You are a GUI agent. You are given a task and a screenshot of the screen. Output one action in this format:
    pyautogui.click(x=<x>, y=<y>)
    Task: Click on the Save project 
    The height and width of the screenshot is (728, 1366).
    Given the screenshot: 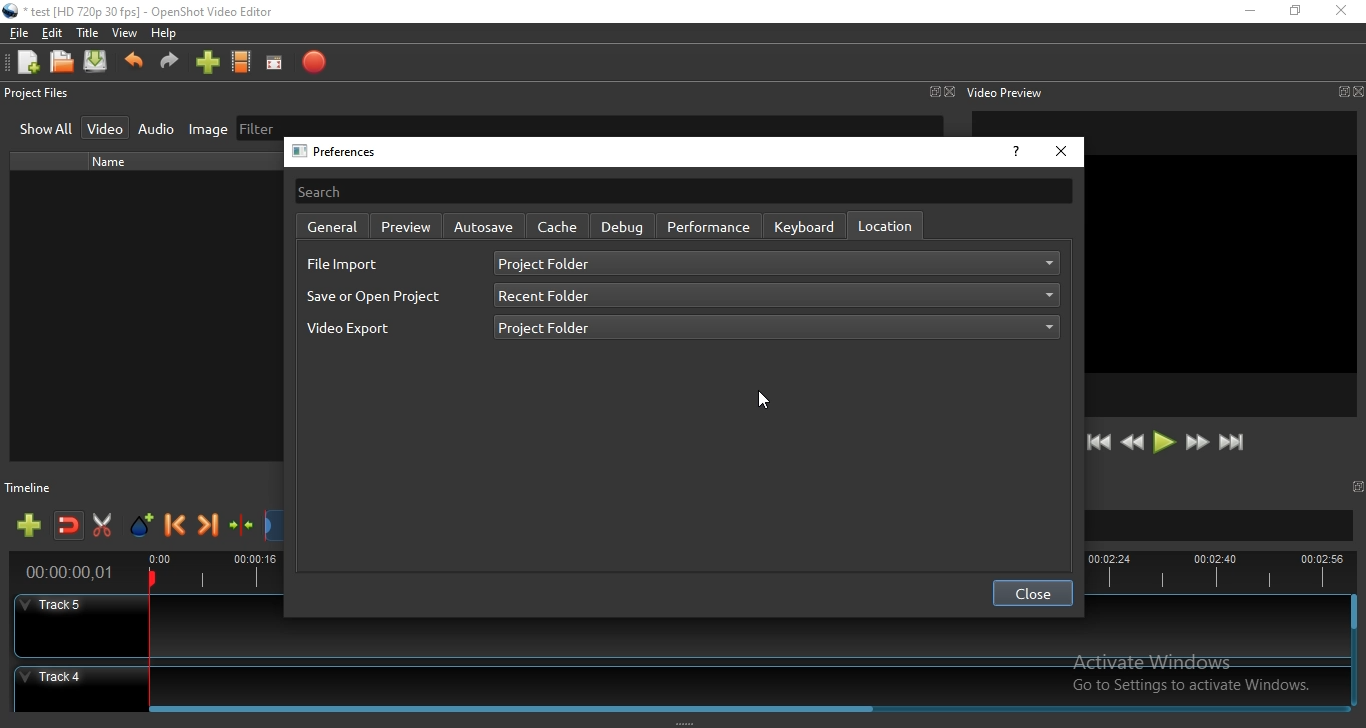 What is the action you would take?
    pyautogui.click(x=97, y=63)
    